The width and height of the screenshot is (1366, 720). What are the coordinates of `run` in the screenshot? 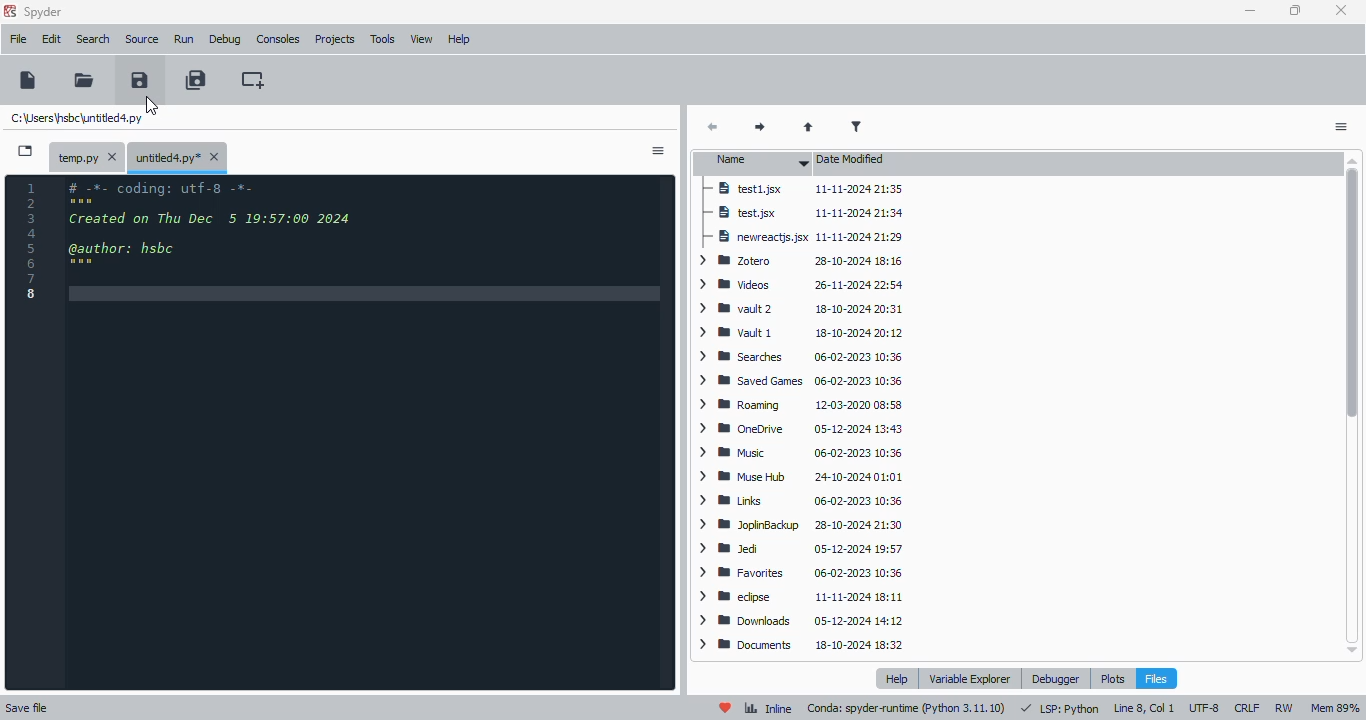 It's located at (184, 39).